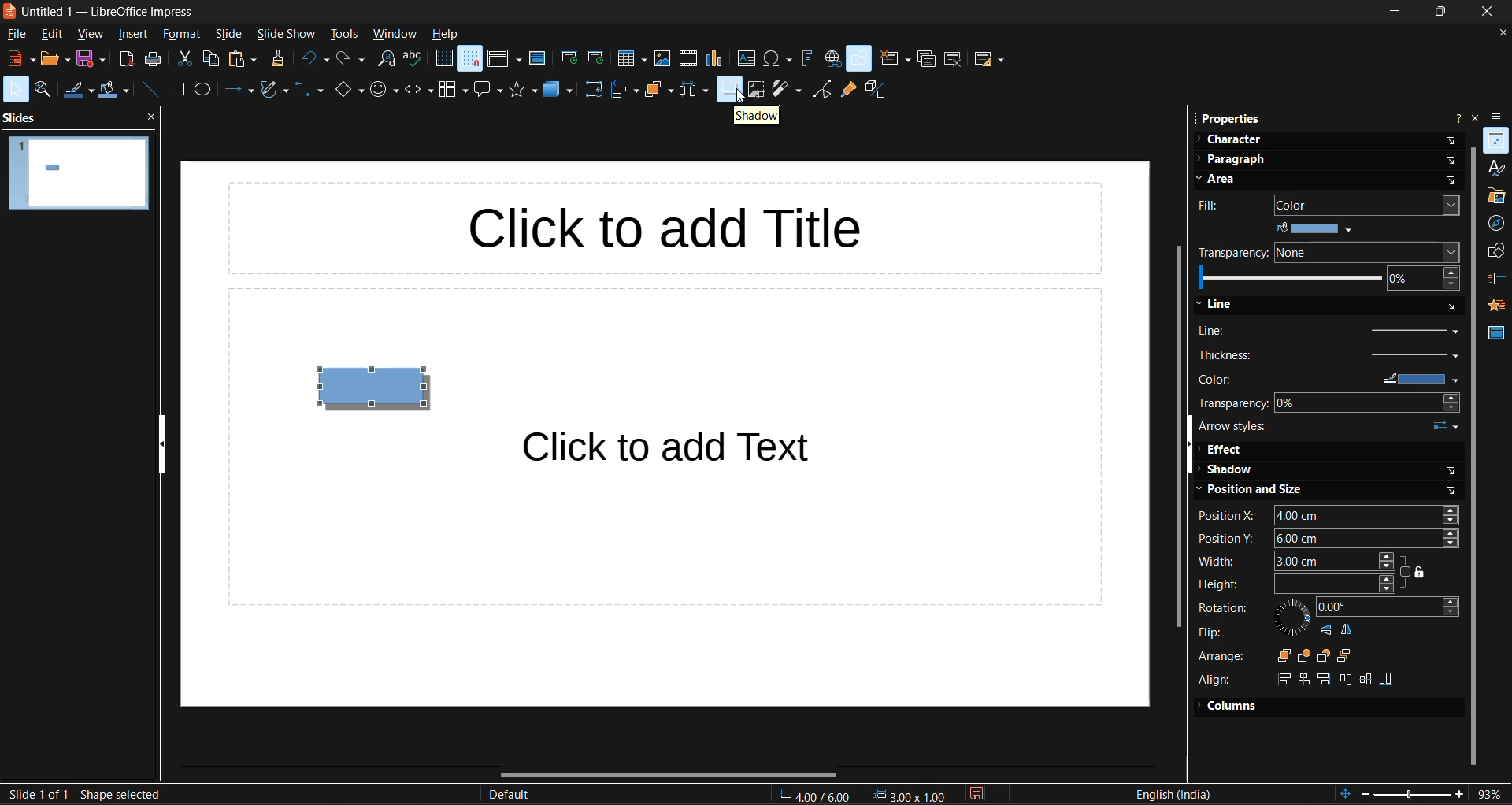 The height and width of the screenshot is (805, 1512). I want to click on properties, so click(1498, 139).